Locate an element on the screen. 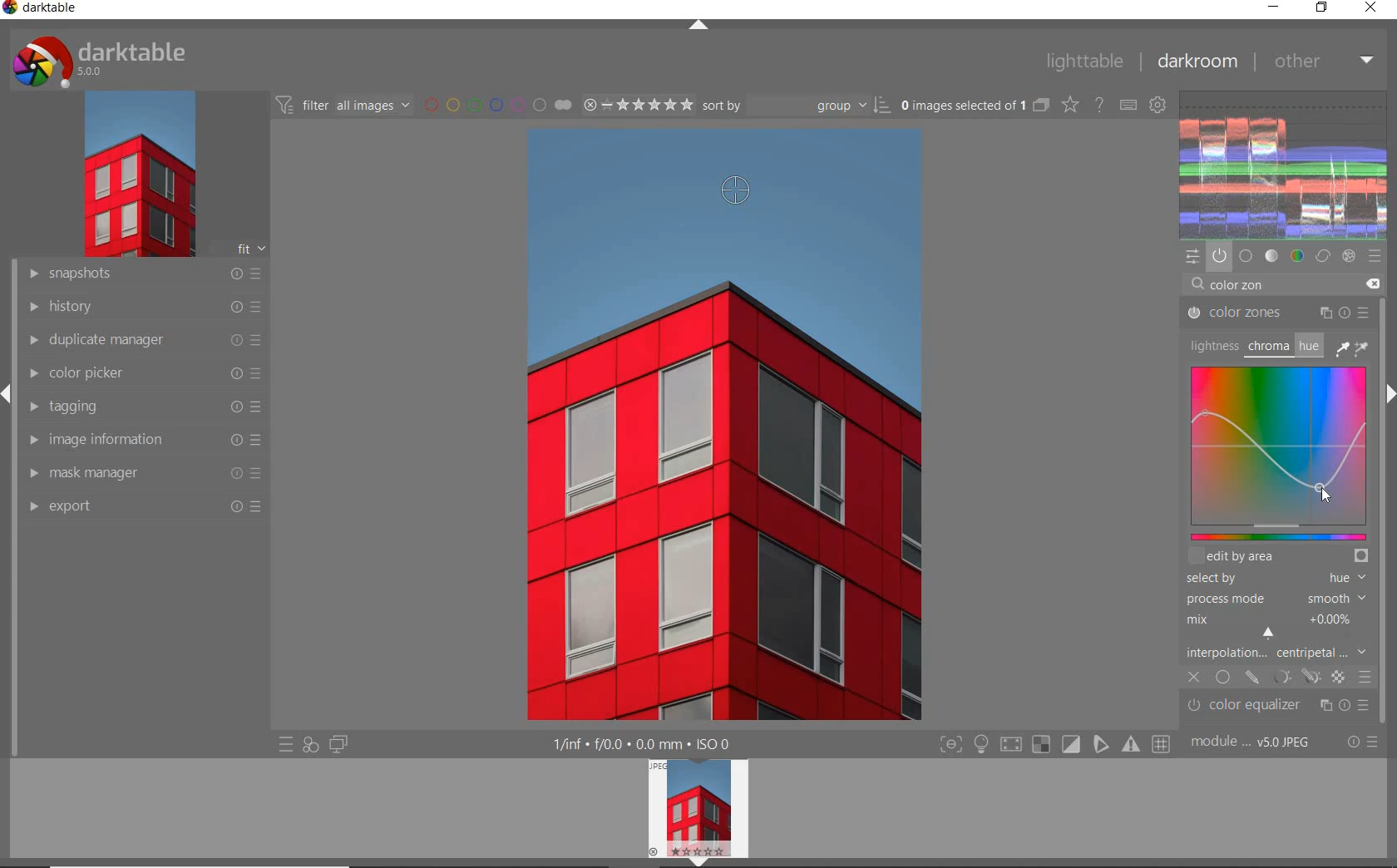 Image resolution: width=1397 pixels, height=868 pixels. MASK OPTIONS is located at coordinates (1294, 677).